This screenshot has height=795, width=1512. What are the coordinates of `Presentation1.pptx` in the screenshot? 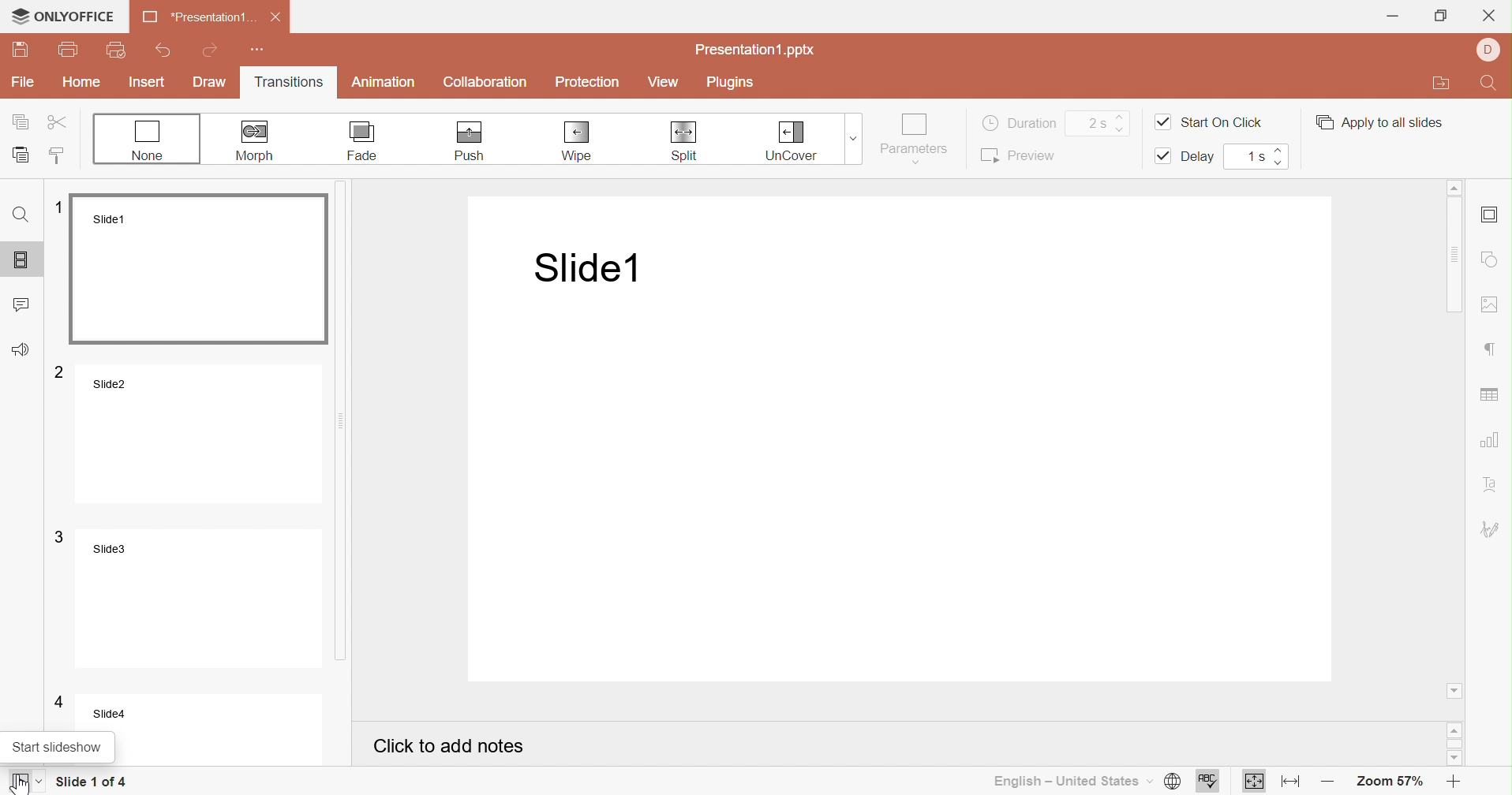 It's located at (757, 51).